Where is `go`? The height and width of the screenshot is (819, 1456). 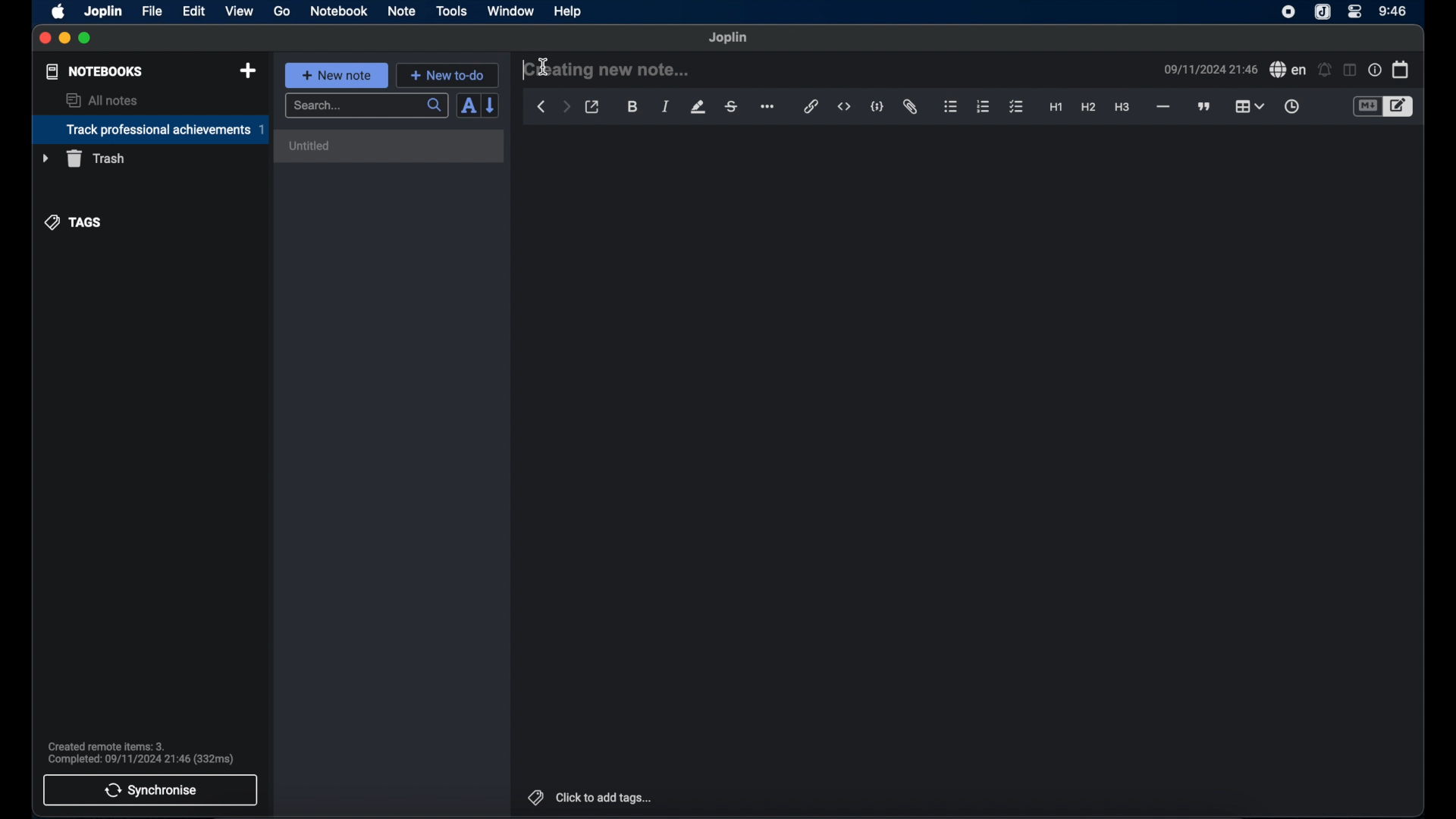 go is located at coordinates (283, 11).